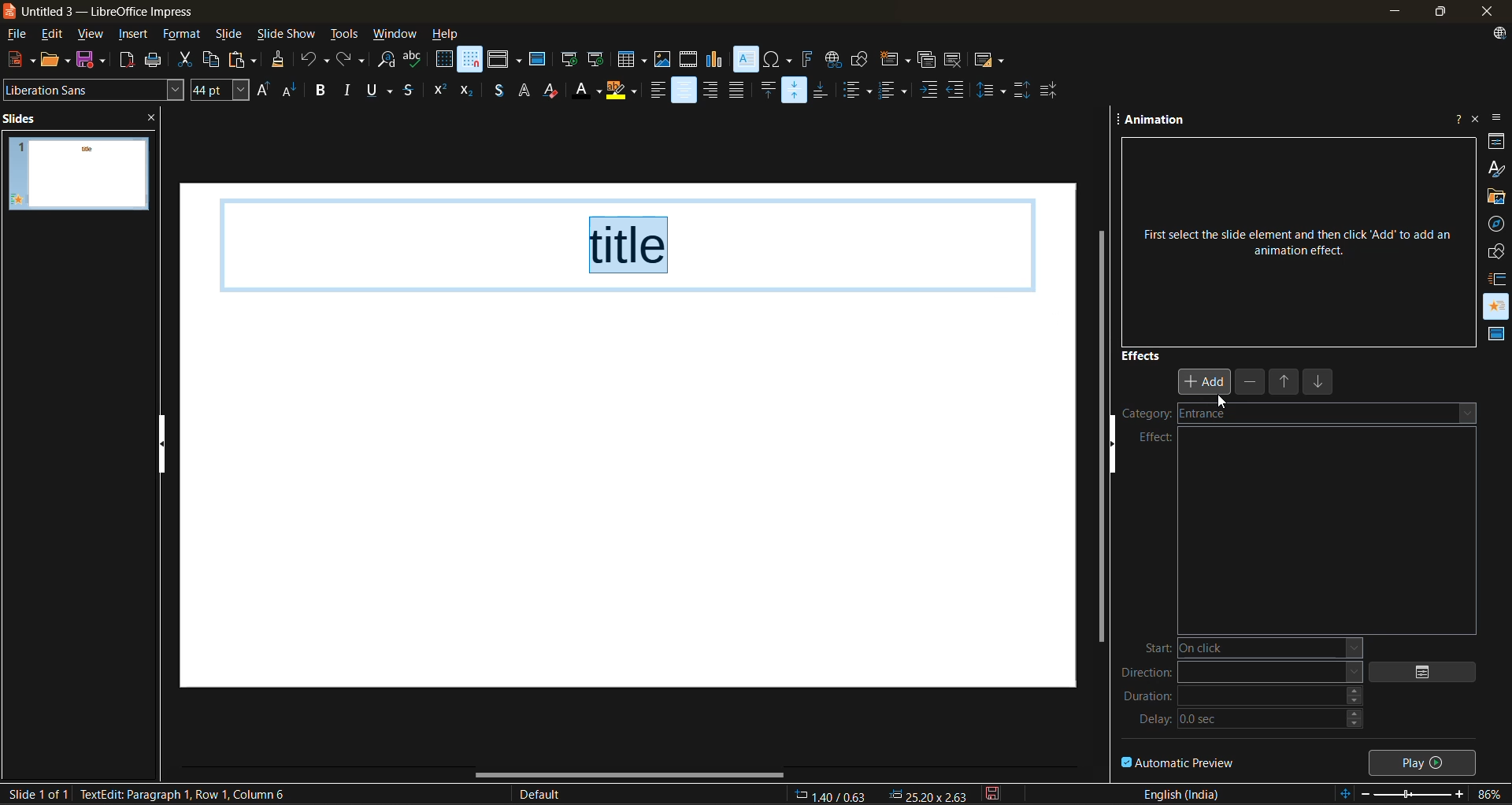 The width and height of the screenshot is (1512, 805). What do you see at coordinates (1297, 235) in the screenshot?
I see `First select the slide element and then click ‘Add’ to add an
animation effect.` at bounding box center [1297, 235].